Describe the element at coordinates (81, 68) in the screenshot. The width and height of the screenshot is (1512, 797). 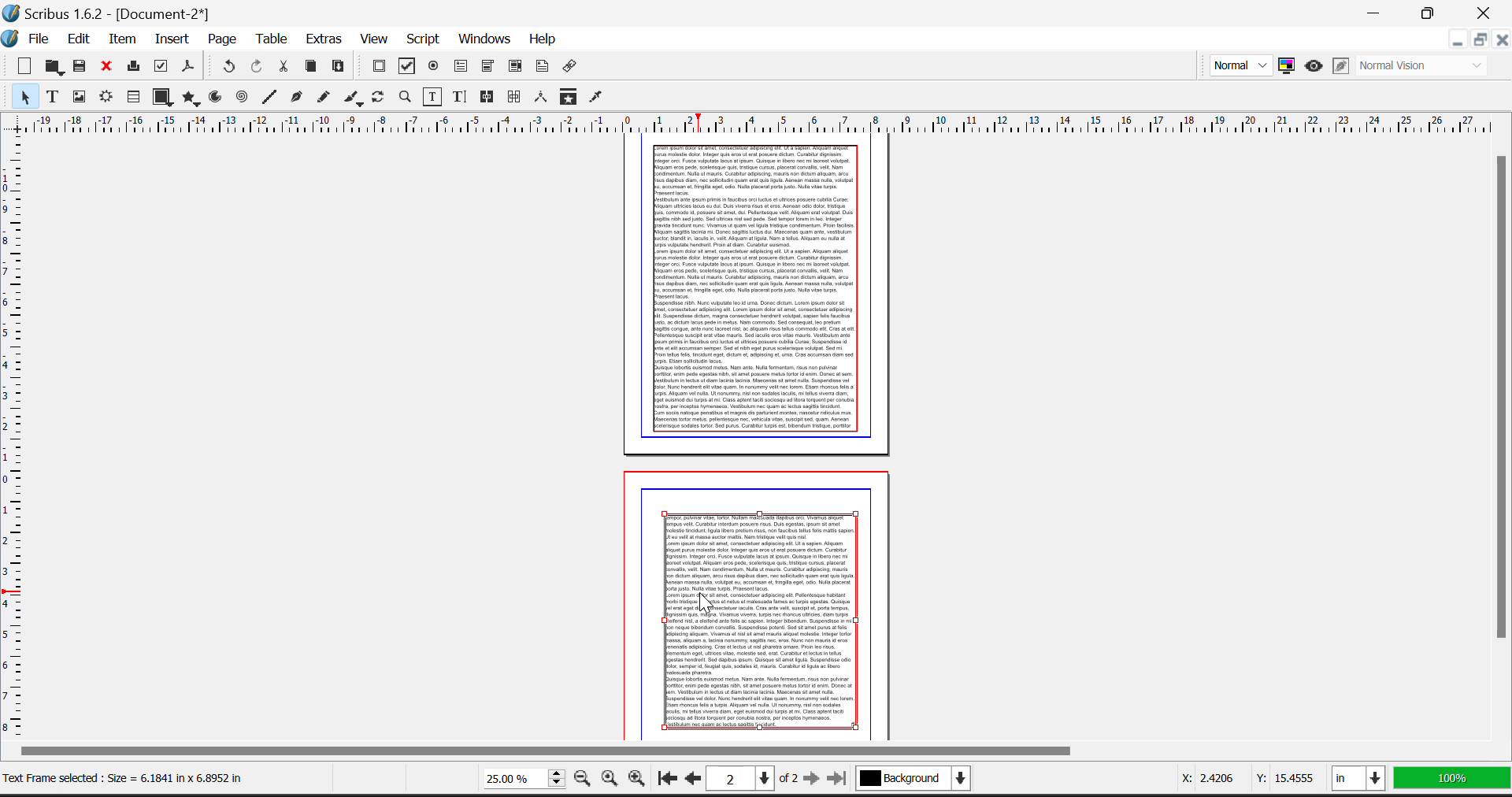
I see `Save` at that location.